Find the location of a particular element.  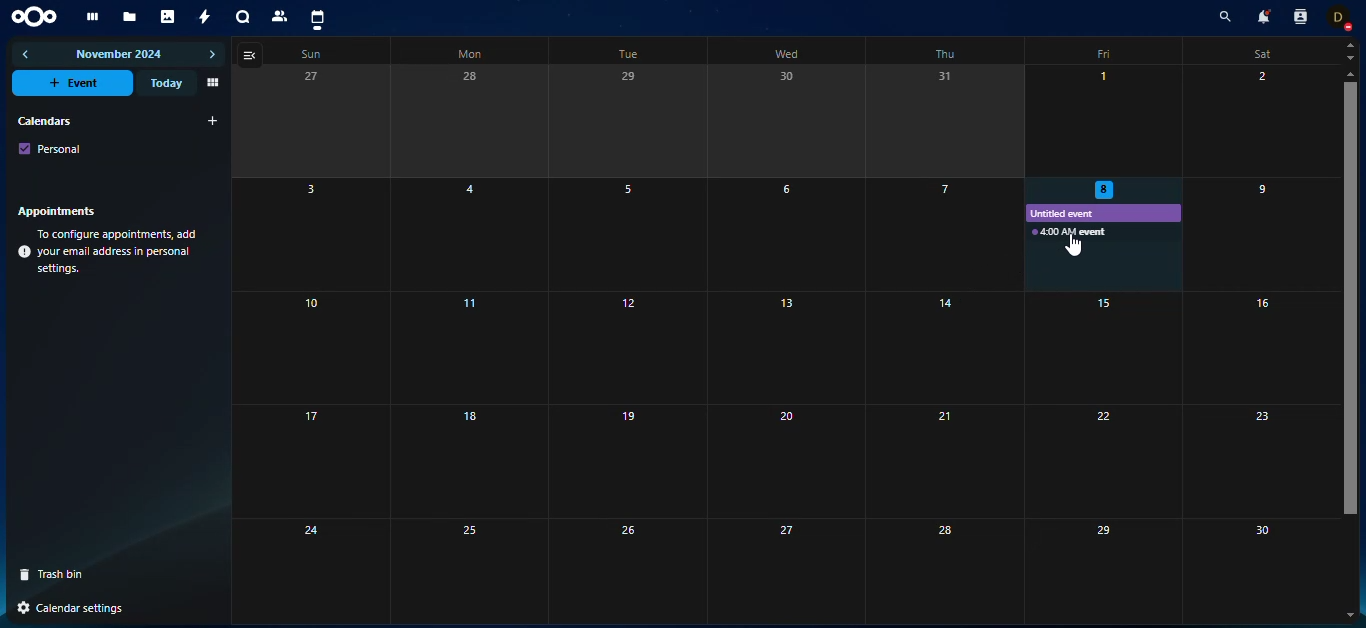

nextcloud is located at coordinates (38, 15).